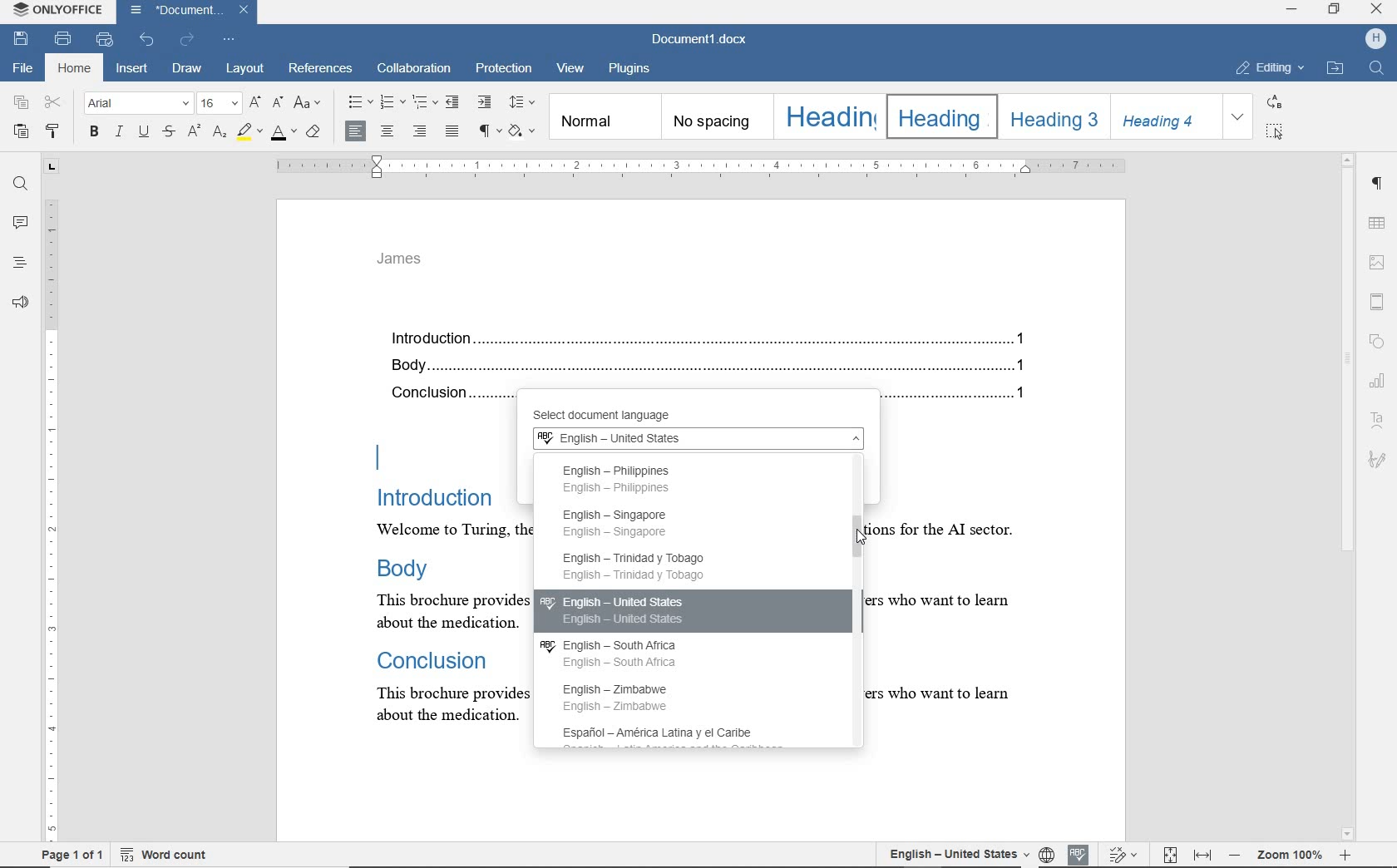 Image resolution: width=1397 pixels, height=868 pixels. What do you see at coordinates (620, 611) in the screenshot?
I see `English - United States` at bounding box center [620, 611].